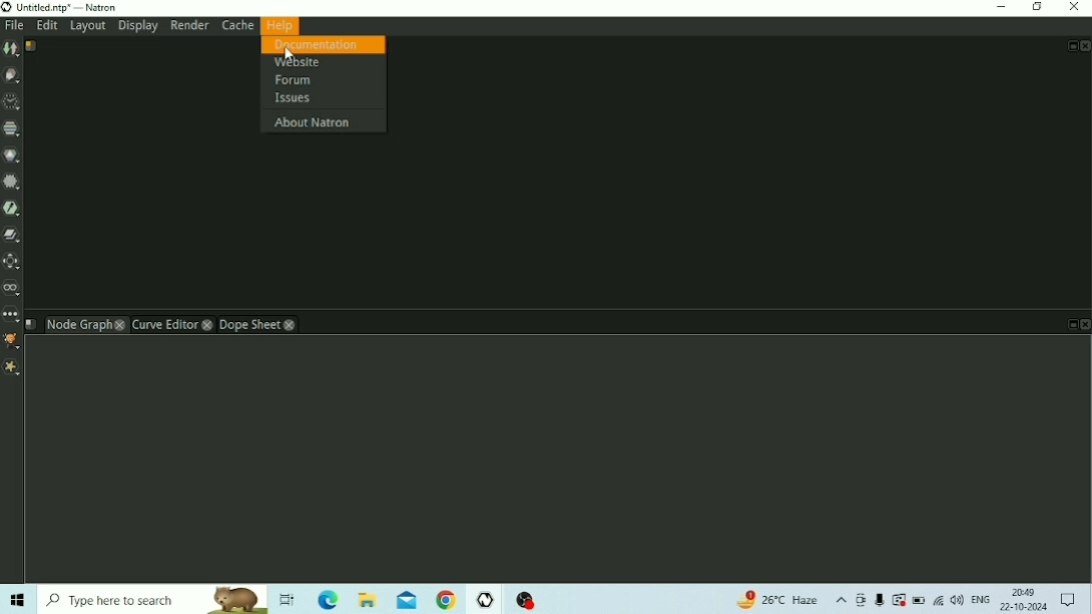  Describe the element at coordinates (937, 600) in the screenshot. I see `Internet` at that location.